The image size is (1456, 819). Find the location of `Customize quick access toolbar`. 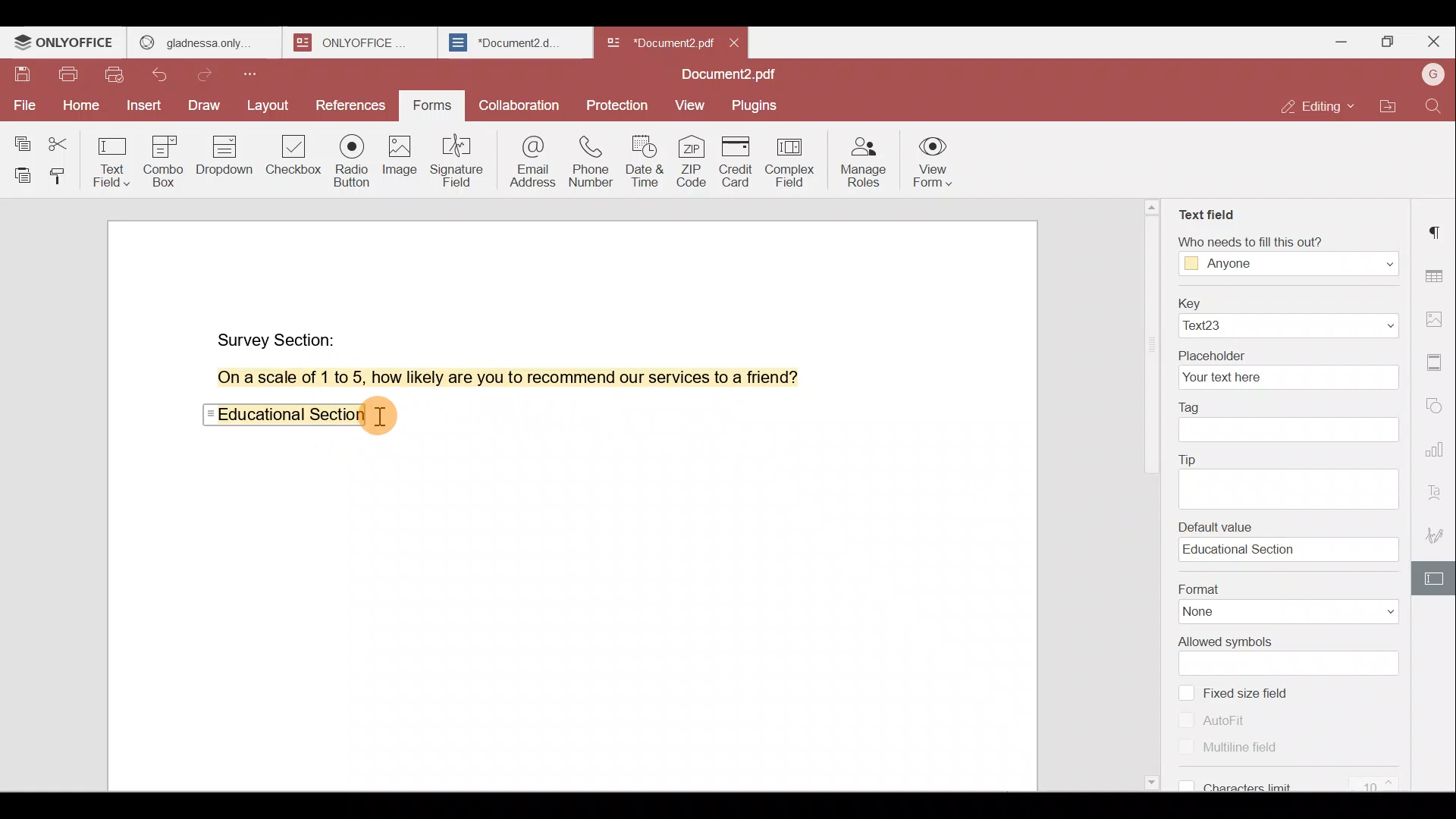

Customize quick access toolbar is located at coordinates (256, 74).